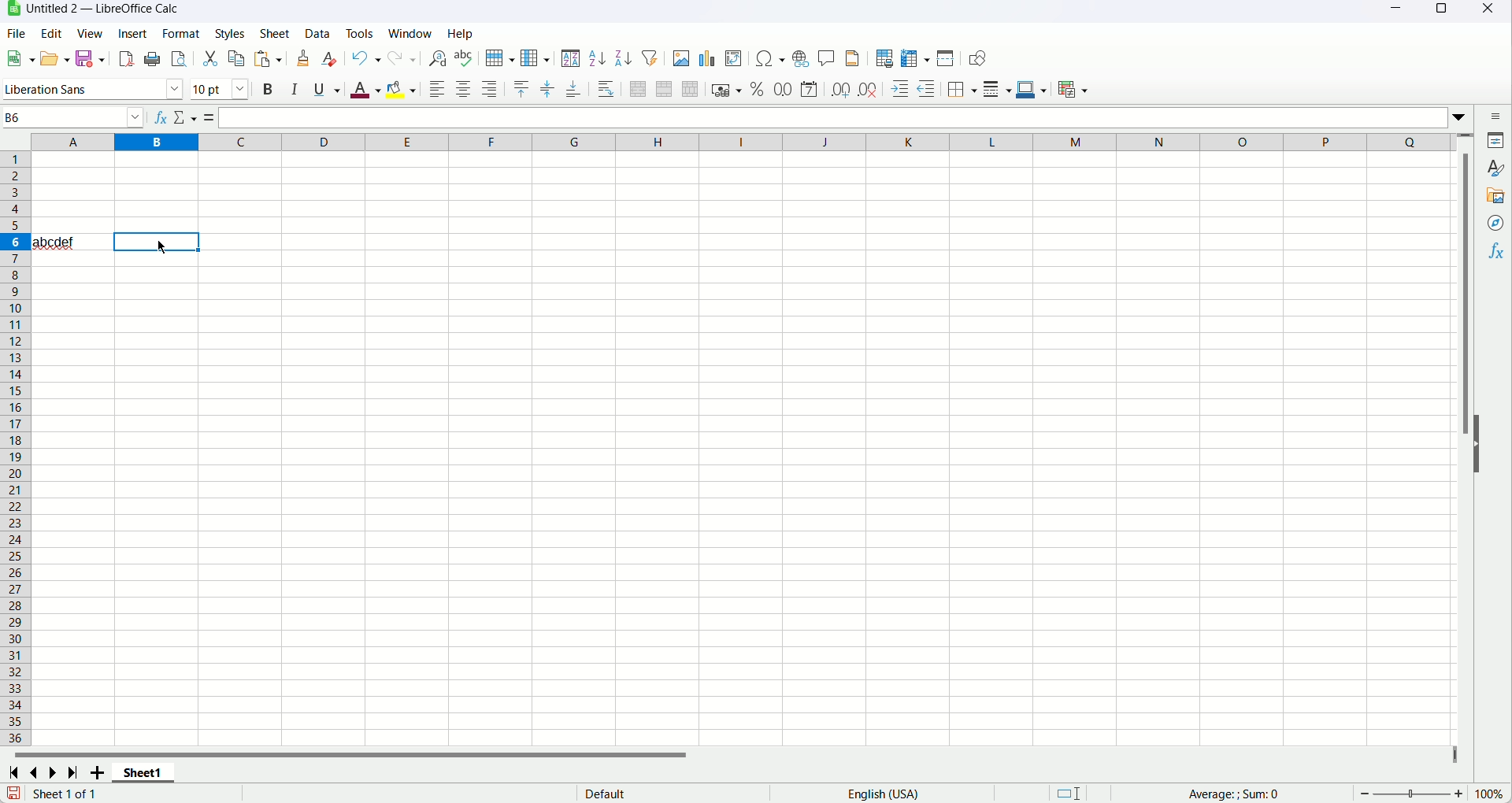  Describe the element at coordinates (332, 59) in the screenshot. I see `clear formatting` at that location.